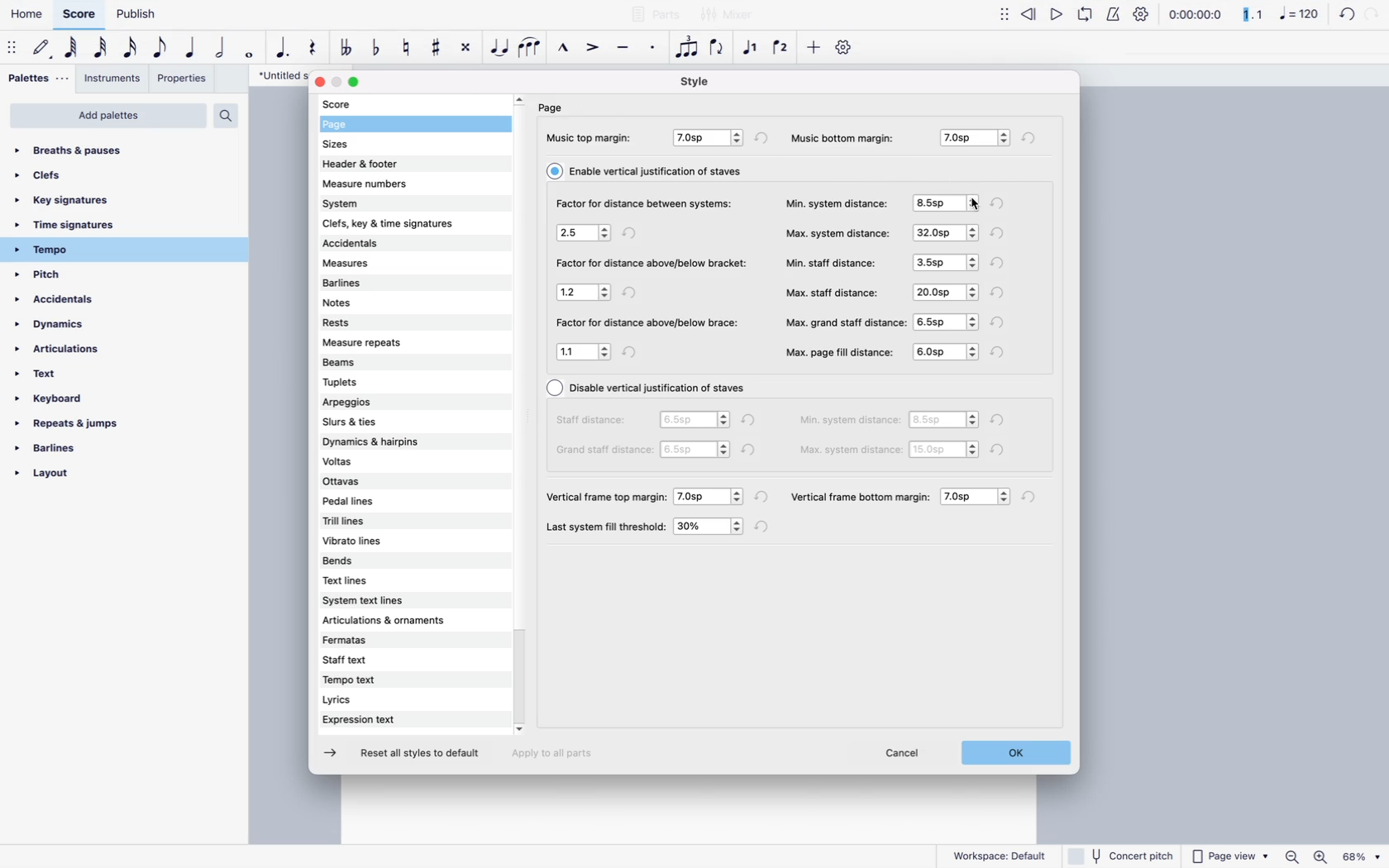 Image resolution: width=1389 pixels, height=868 pixels. Describe the element at coordinates (764, 137) in the screenshot. I see `efresh` at that location.